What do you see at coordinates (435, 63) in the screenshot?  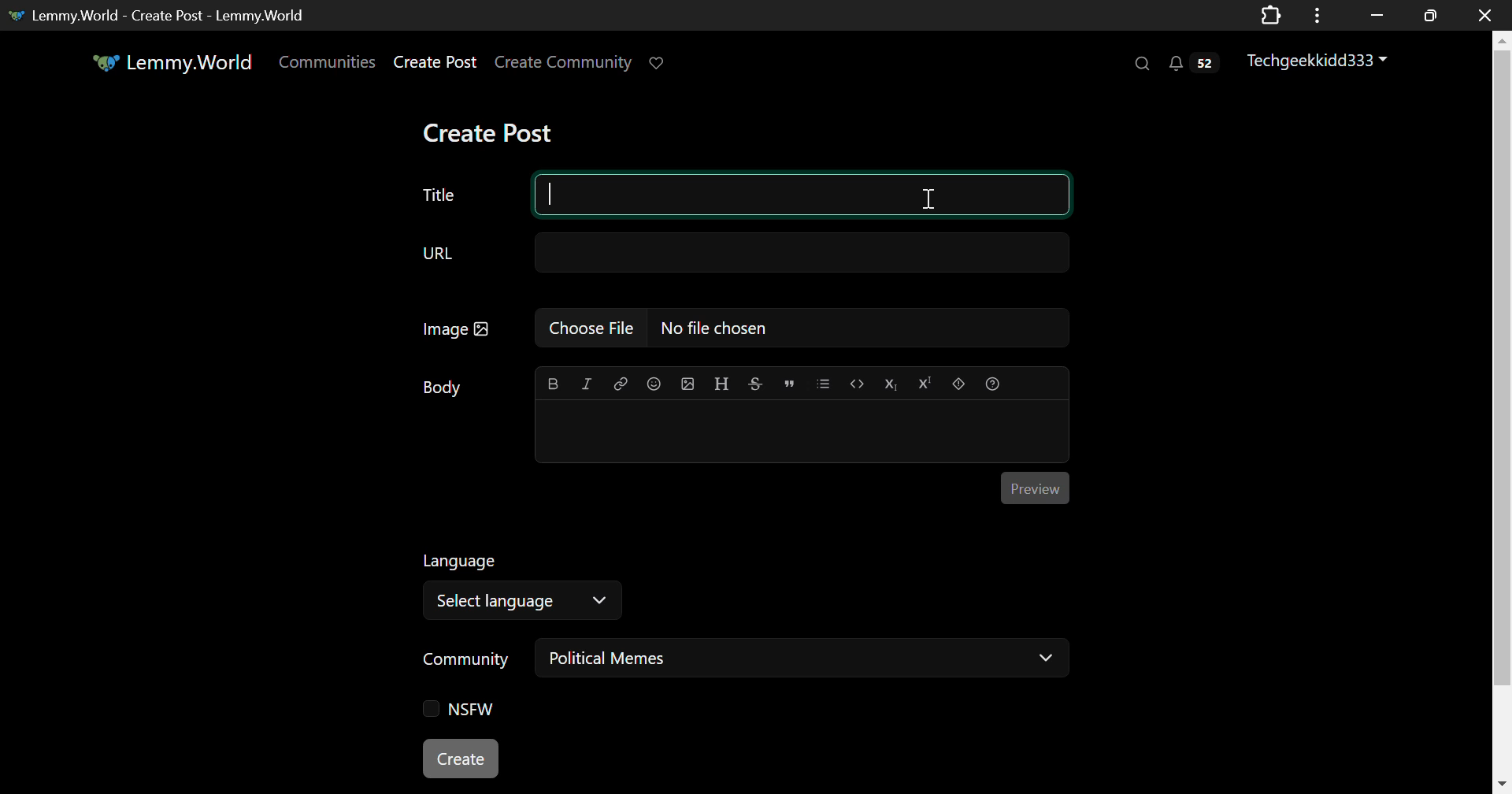 I see `Create Post Page Link` at bounding box center [435, 63].